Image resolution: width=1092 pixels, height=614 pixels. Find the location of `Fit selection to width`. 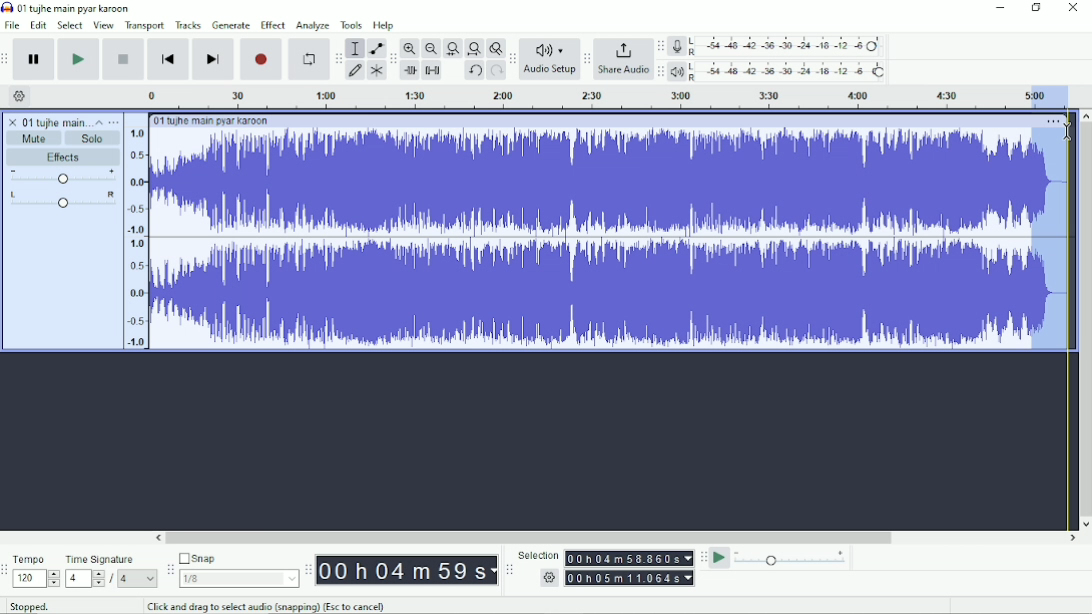

Fit selection to width is located at coordinates (452, 48).